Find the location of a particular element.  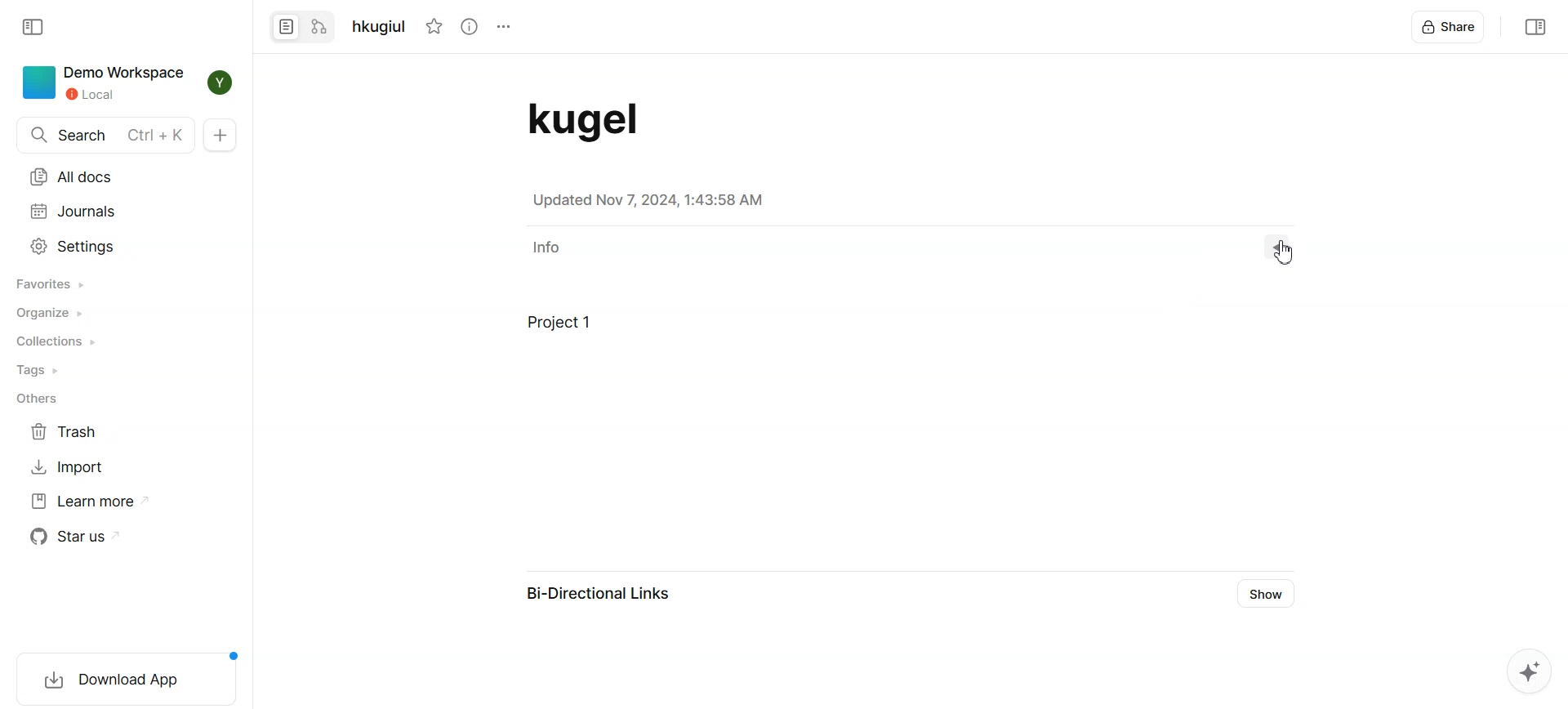

Info is located at coordinates (543, 247).